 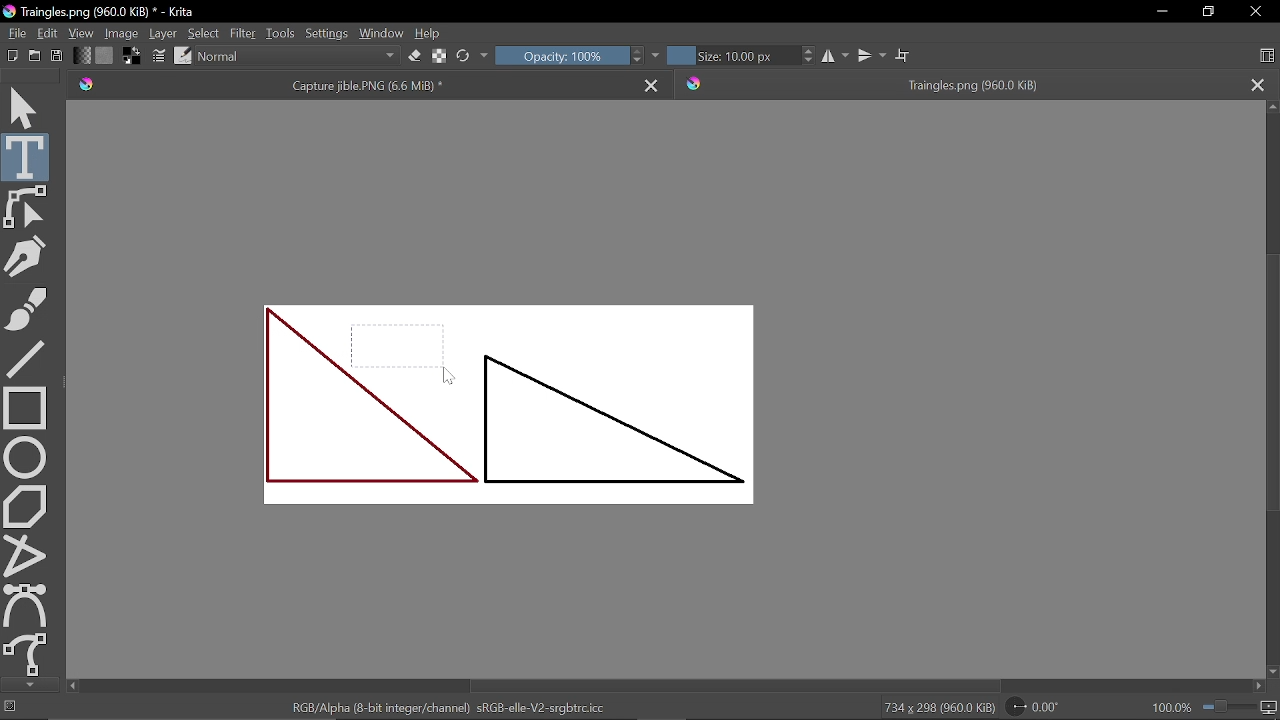 I want to click on Move left, so click(x=72, y=686).